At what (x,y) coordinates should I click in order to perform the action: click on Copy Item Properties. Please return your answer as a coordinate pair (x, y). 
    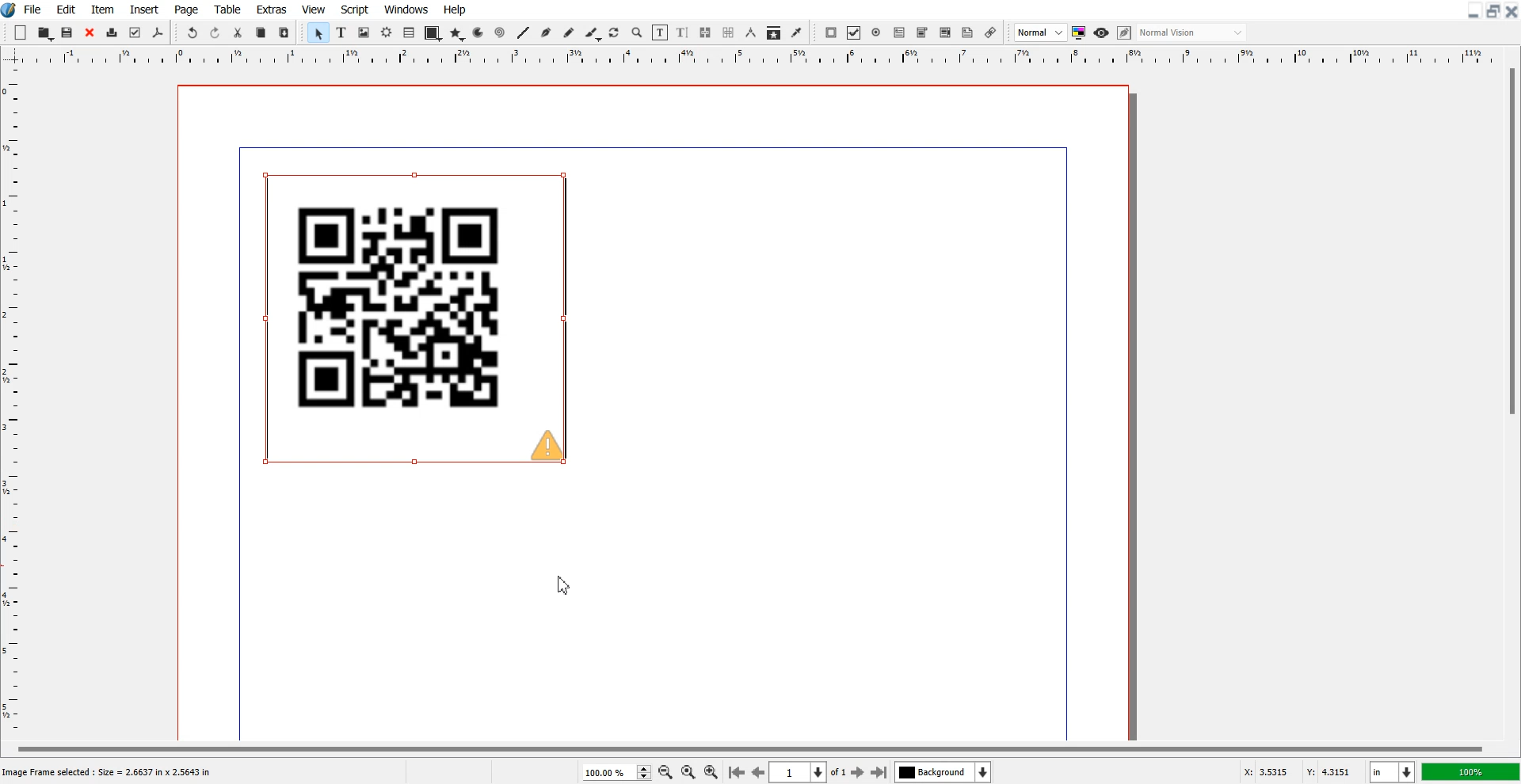
    Looking at the image, I should click on (773, 32).